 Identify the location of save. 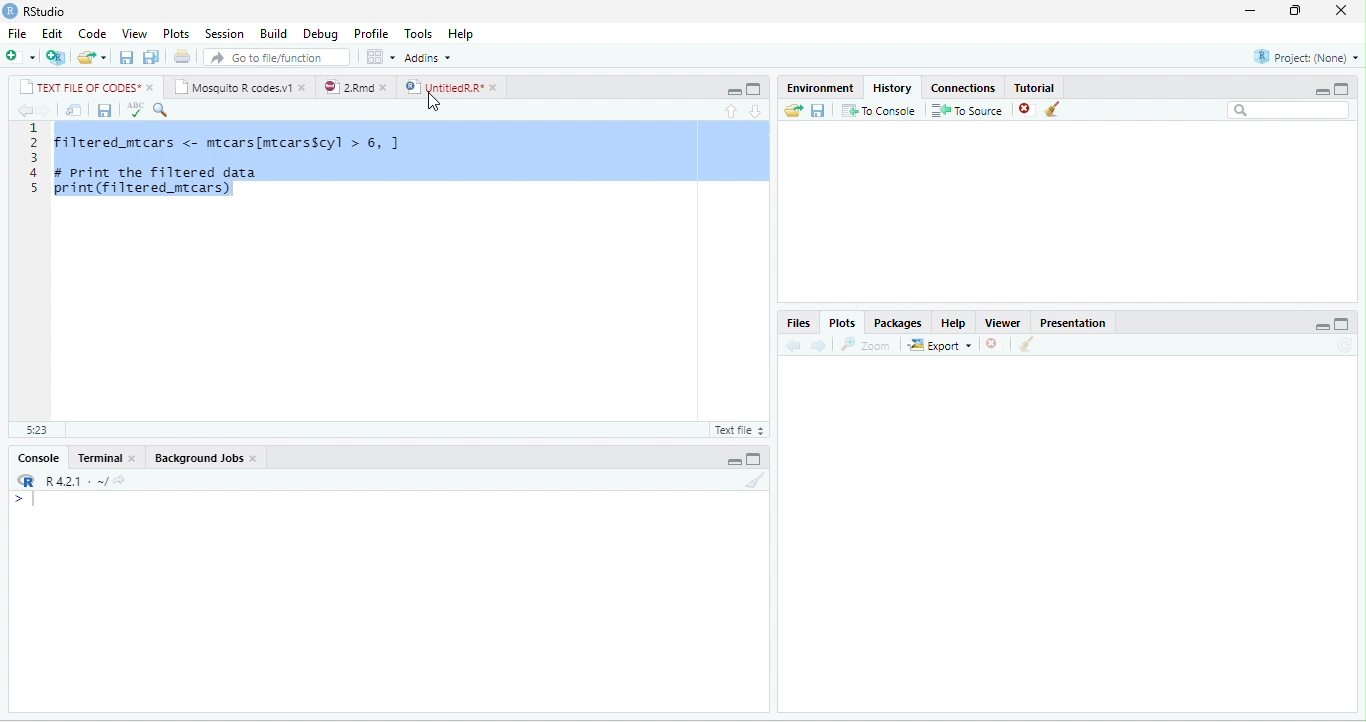
(817, 111).